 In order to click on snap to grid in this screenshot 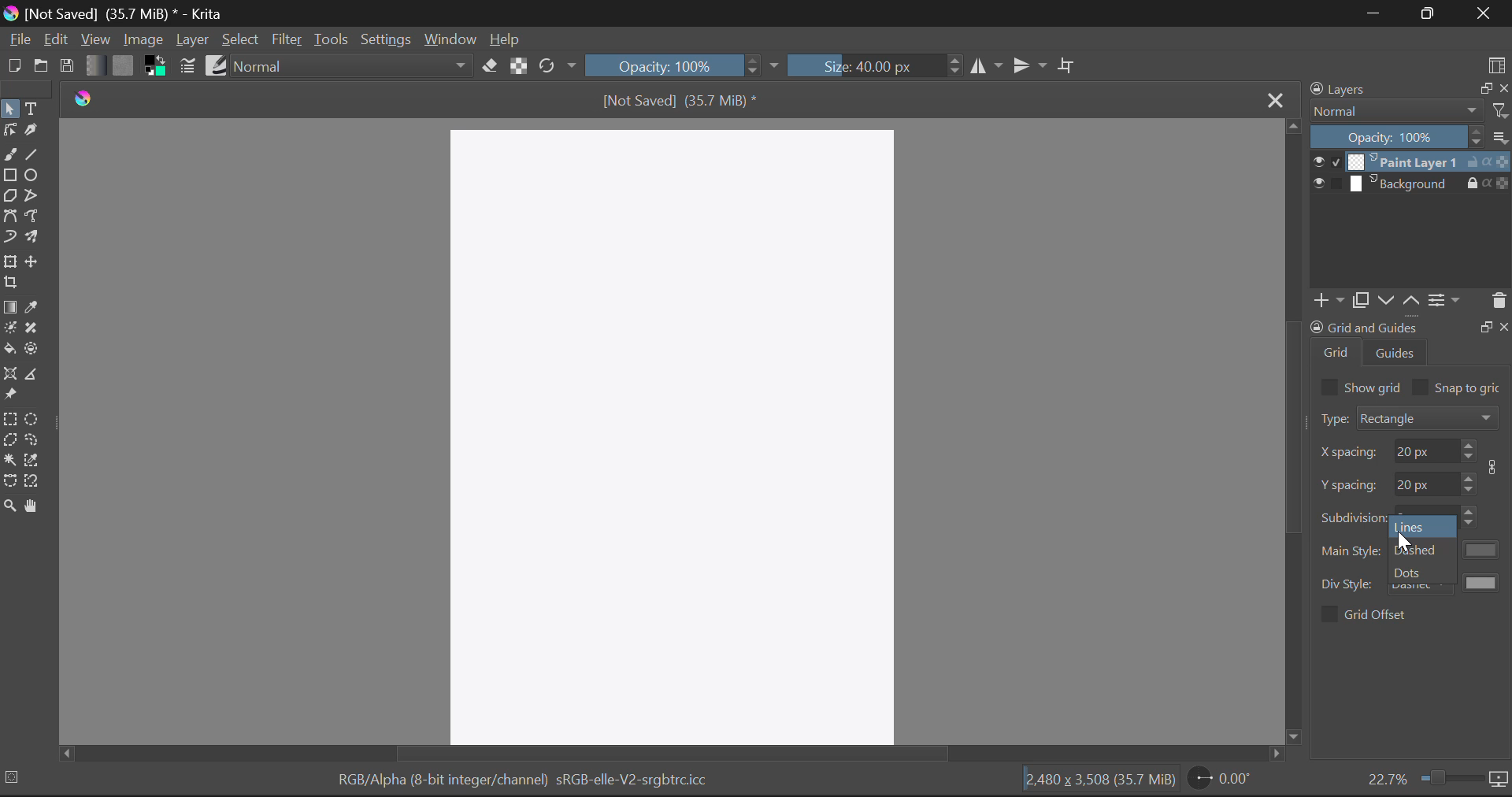, I will do `click(1469, 389)`.